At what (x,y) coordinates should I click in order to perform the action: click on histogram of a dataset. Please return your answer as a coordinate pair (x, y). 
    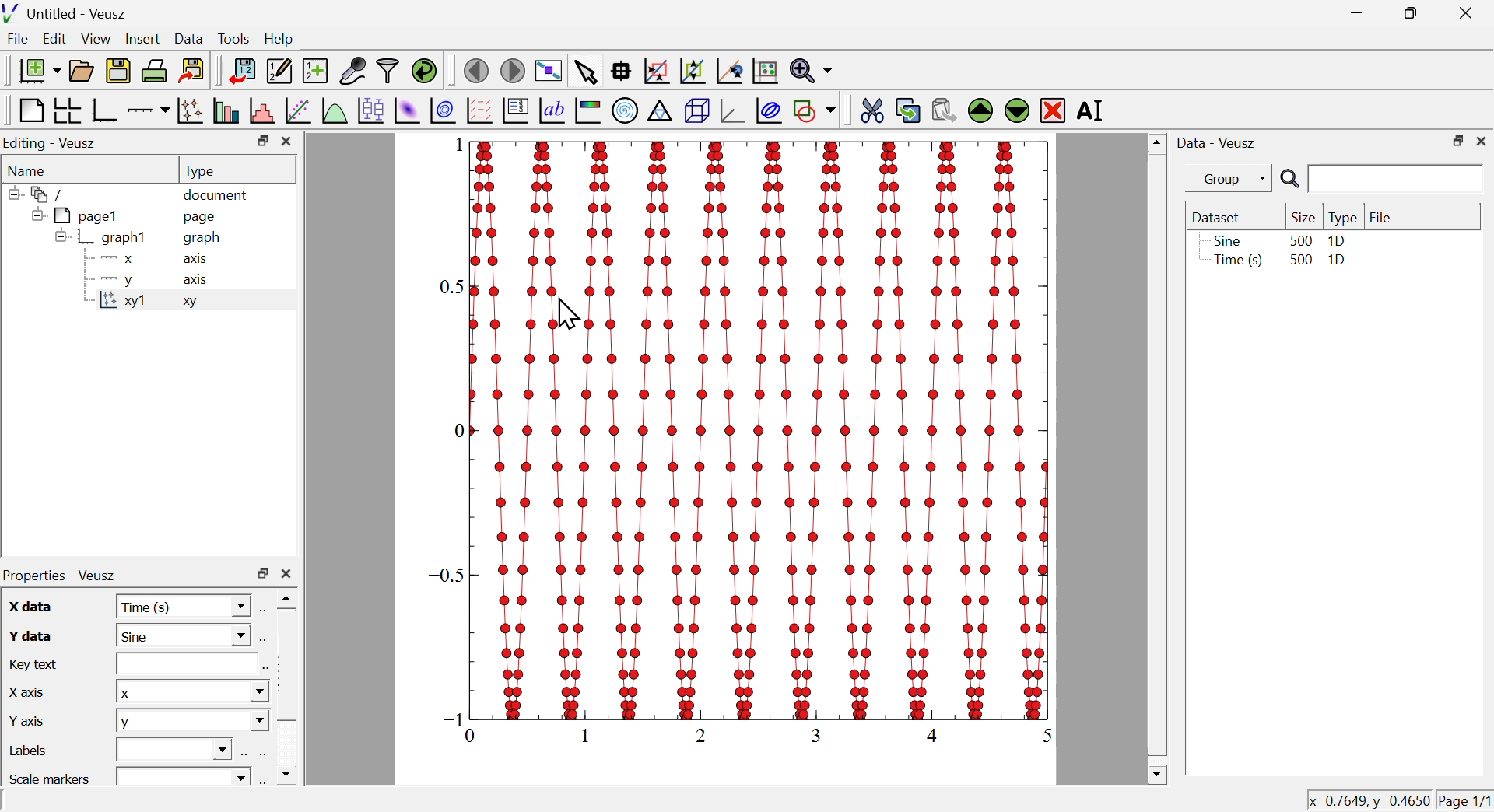
    Looking at the image, I should click on (261, 110).